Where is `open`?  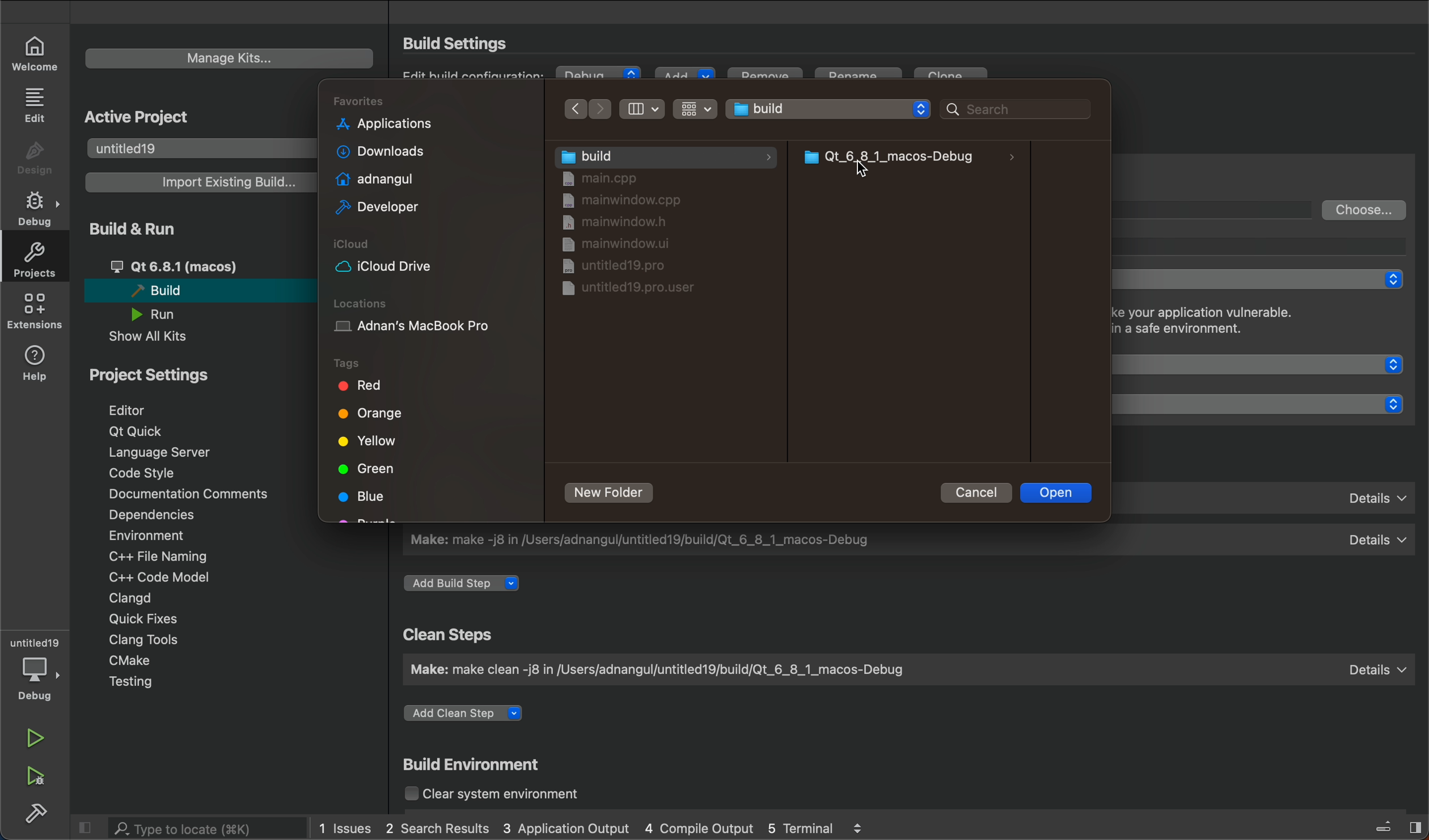 open is located at coordinates (1059, 491).